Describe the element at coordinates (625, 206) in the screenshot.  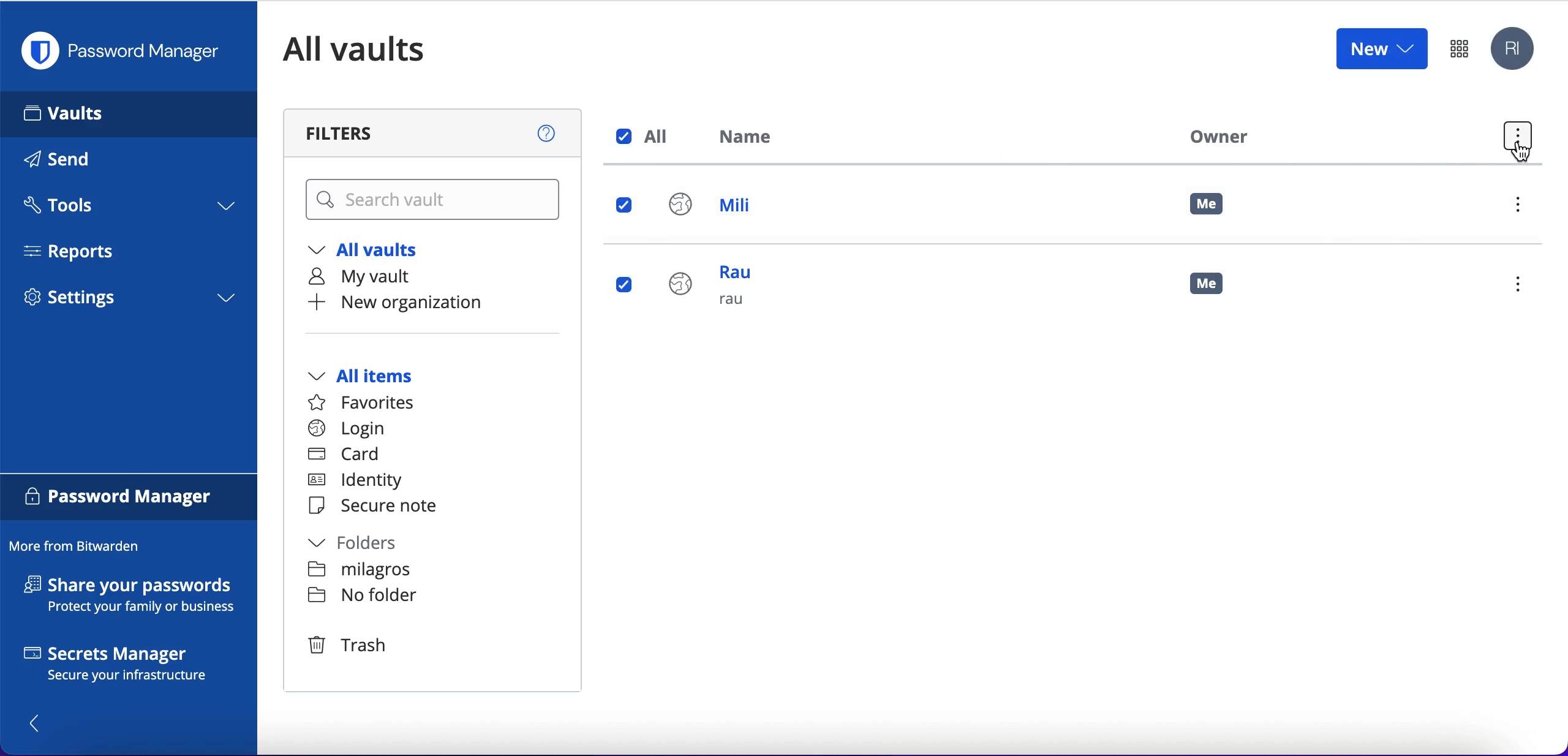
I see `select login mili` at that location.